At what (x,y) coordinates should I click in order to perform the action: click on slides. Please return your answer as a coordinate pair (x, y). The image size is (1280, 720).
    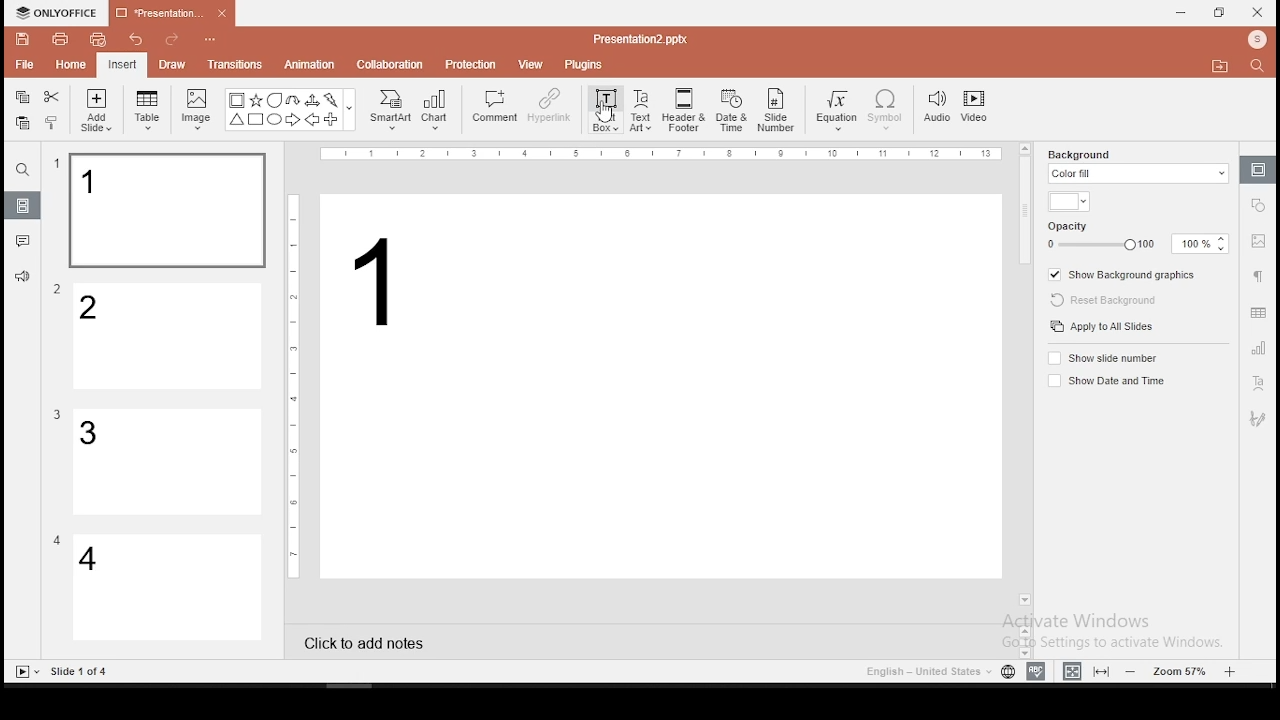
    Looking at the image, I should click on (24, 206).